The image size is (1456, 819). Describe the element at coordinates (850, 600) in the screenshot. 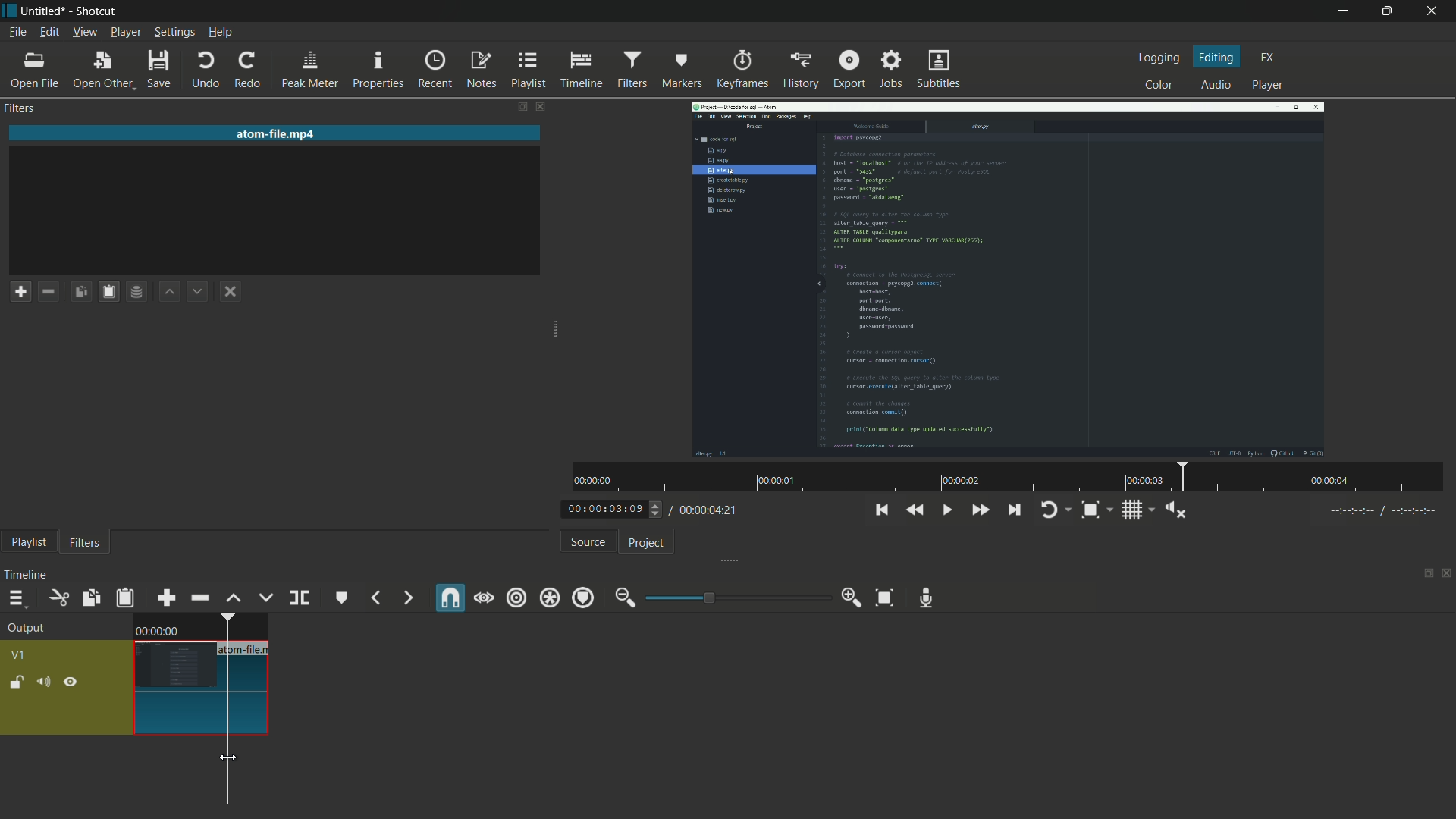

I see `zoom in` at that location.